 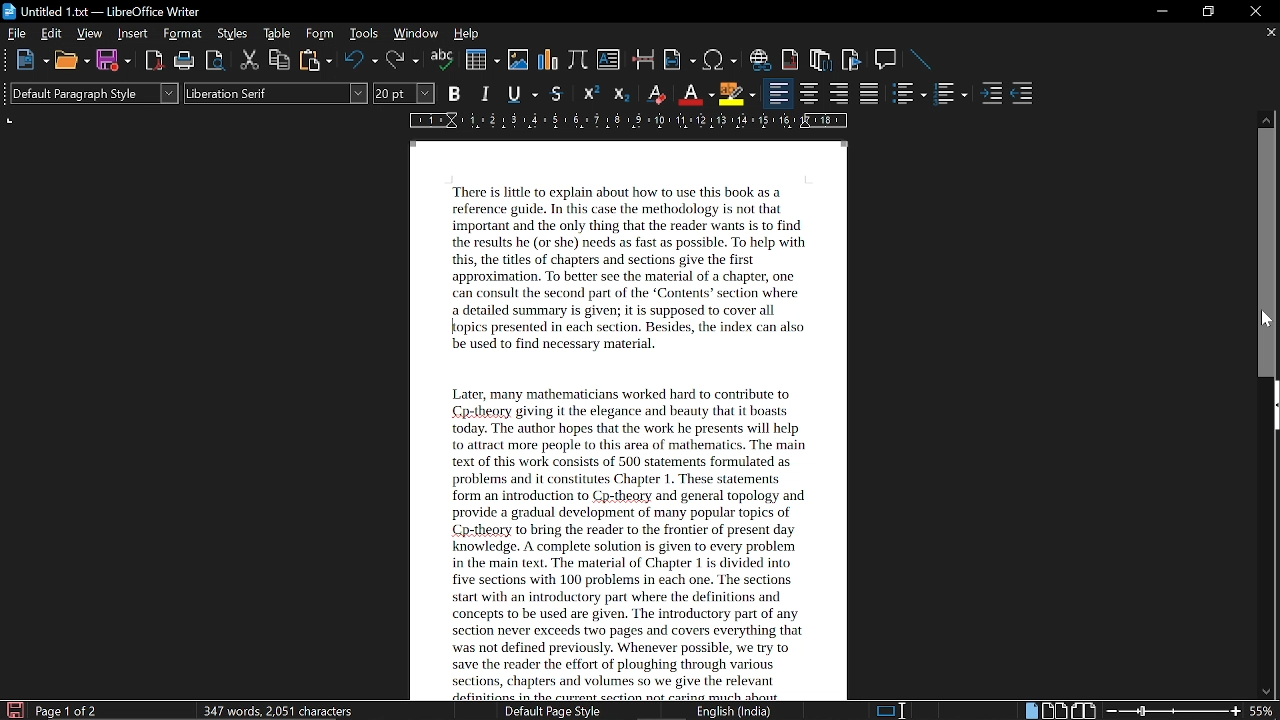 I want to click on minimize, so click(x=1162, y=12).